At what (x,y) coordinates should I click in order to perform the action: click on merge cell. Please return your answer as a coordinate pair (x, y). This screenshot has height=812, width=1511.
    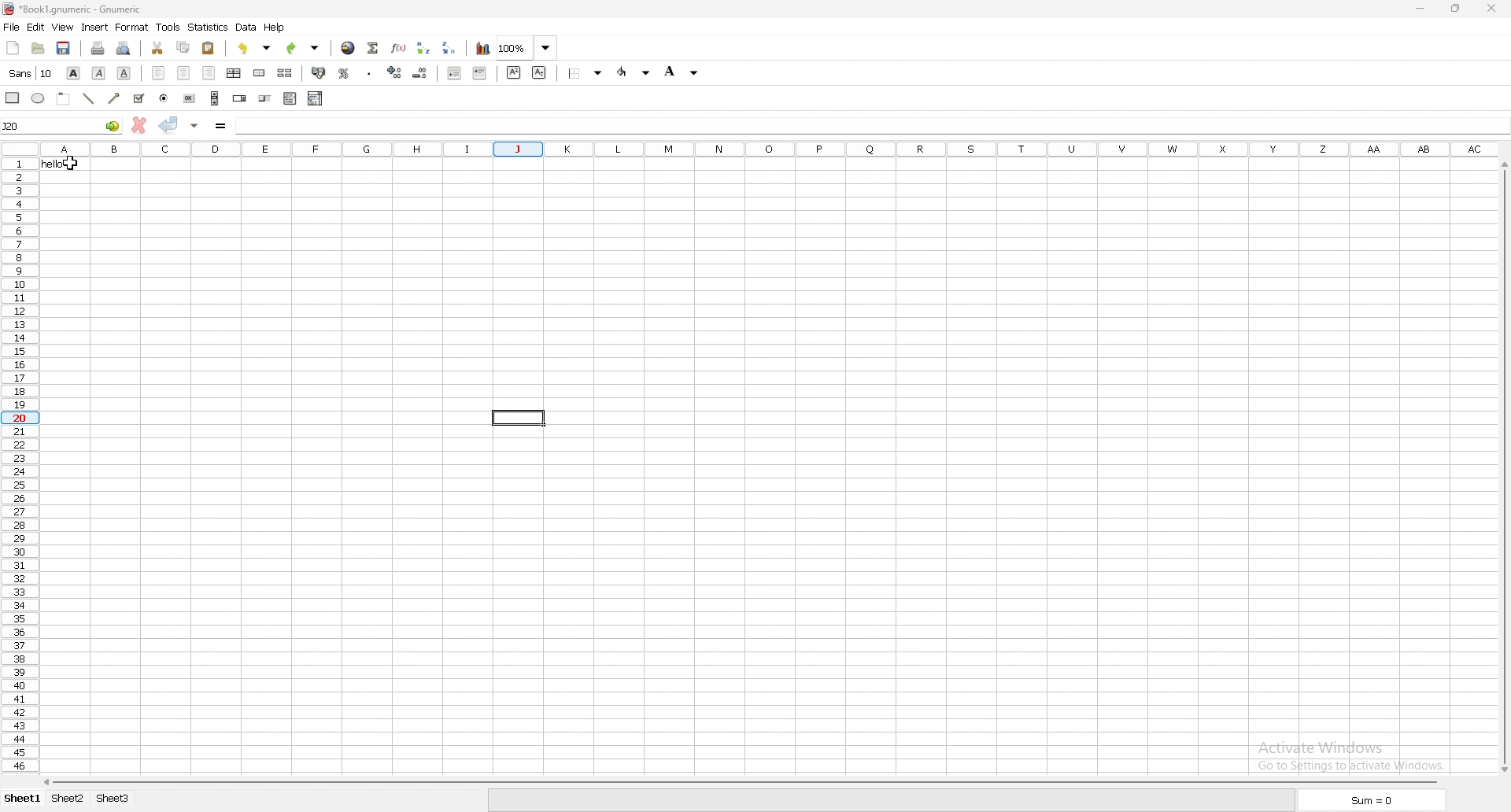
    Looking at the image, I should click on (260, 72).